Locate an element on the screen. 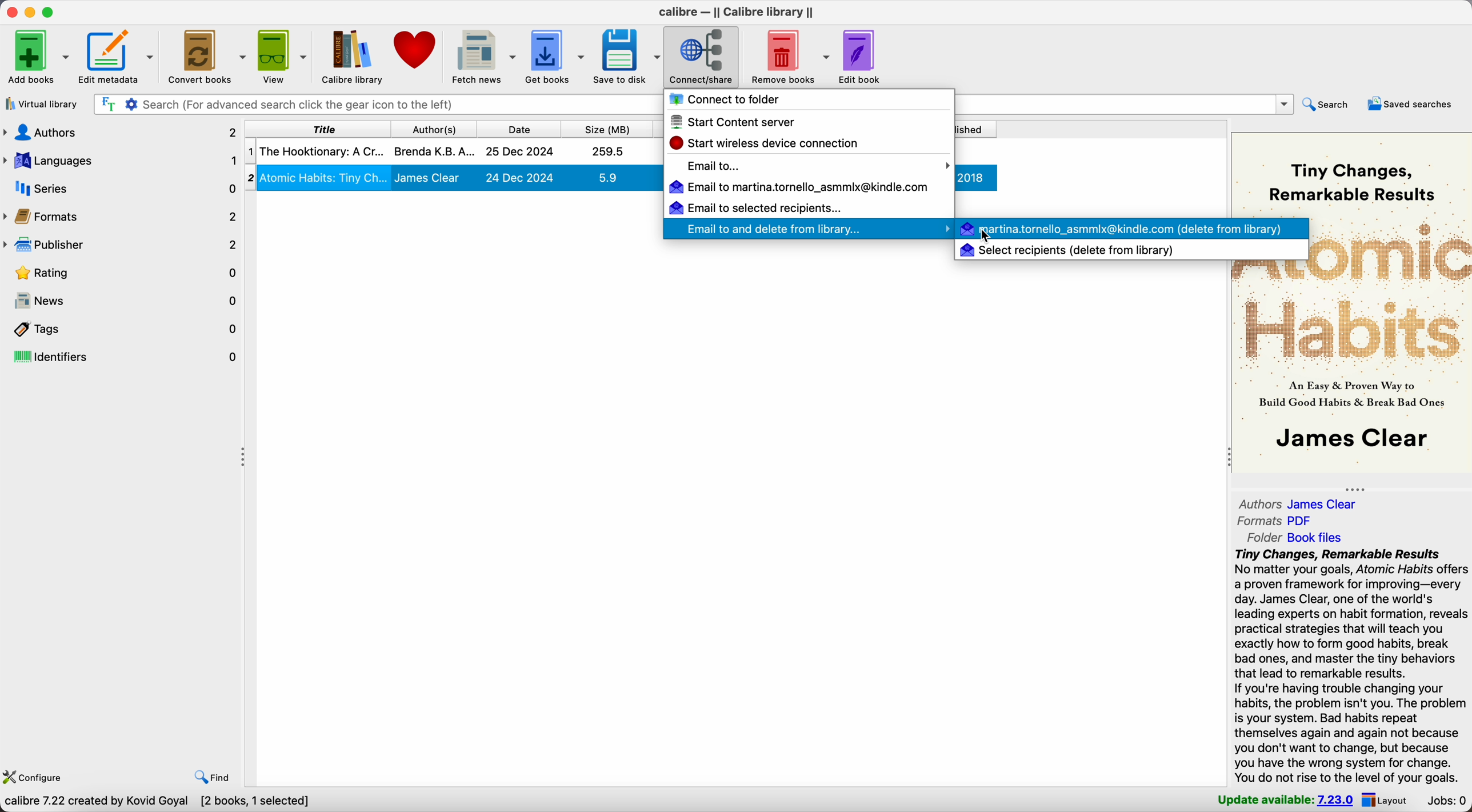 This screenshot has width=1472, height=812. 259.5 is located at coordinates (609, 151).